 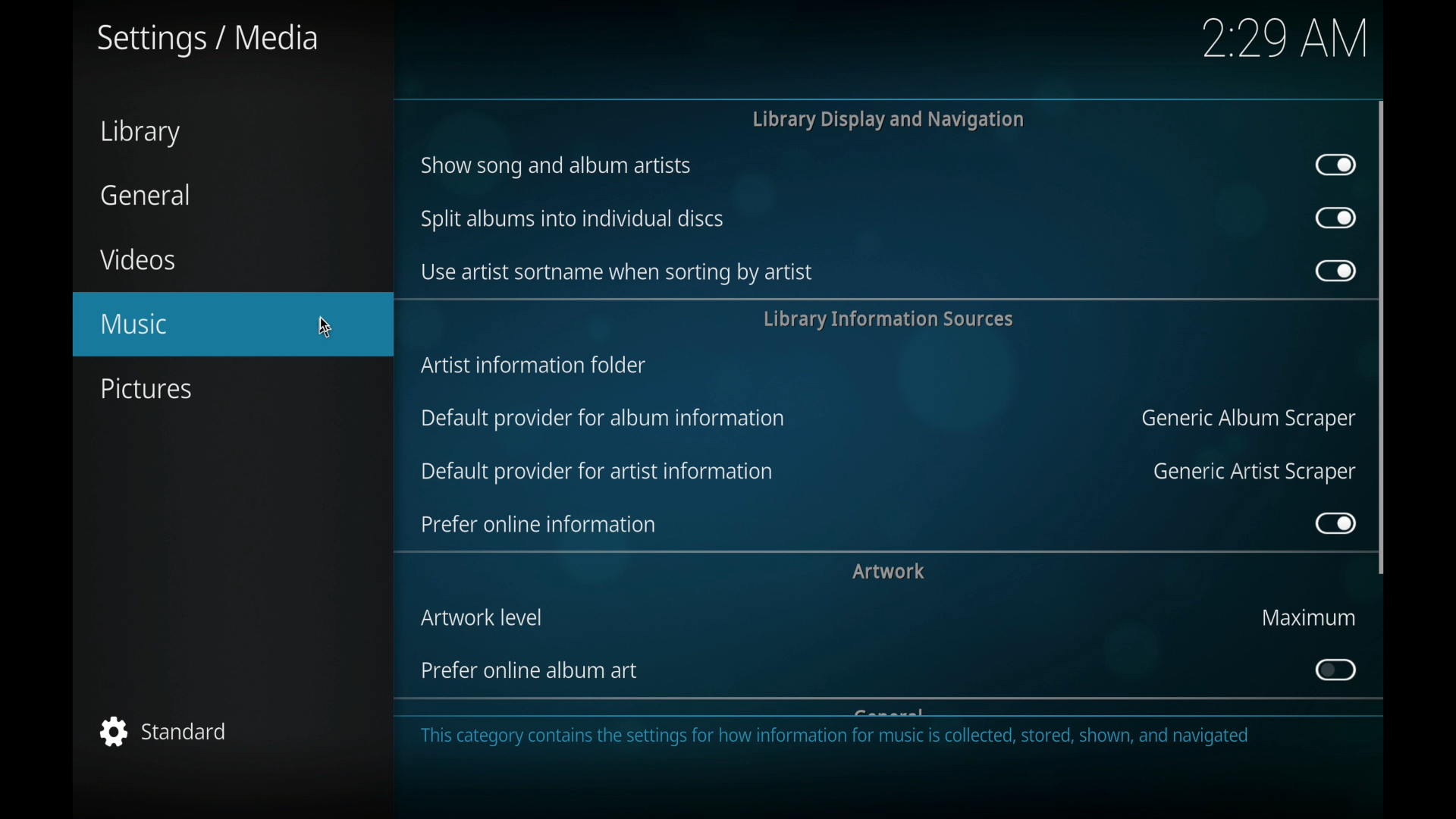 I want to click on library, so click(x=140, y=135).